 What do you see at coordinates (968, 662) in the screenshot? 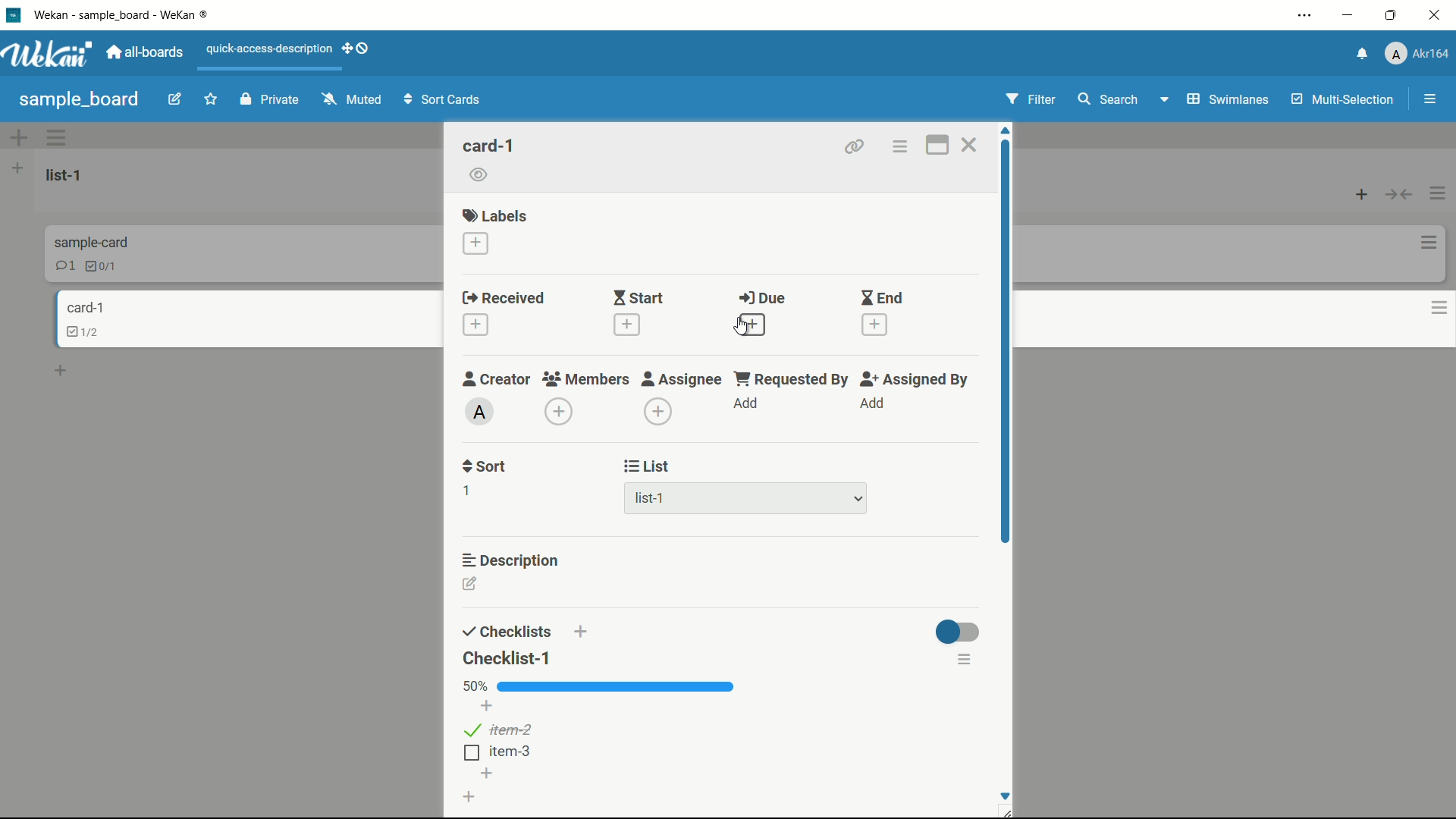
I see `checklist actions` at bounding box center [968, 662].